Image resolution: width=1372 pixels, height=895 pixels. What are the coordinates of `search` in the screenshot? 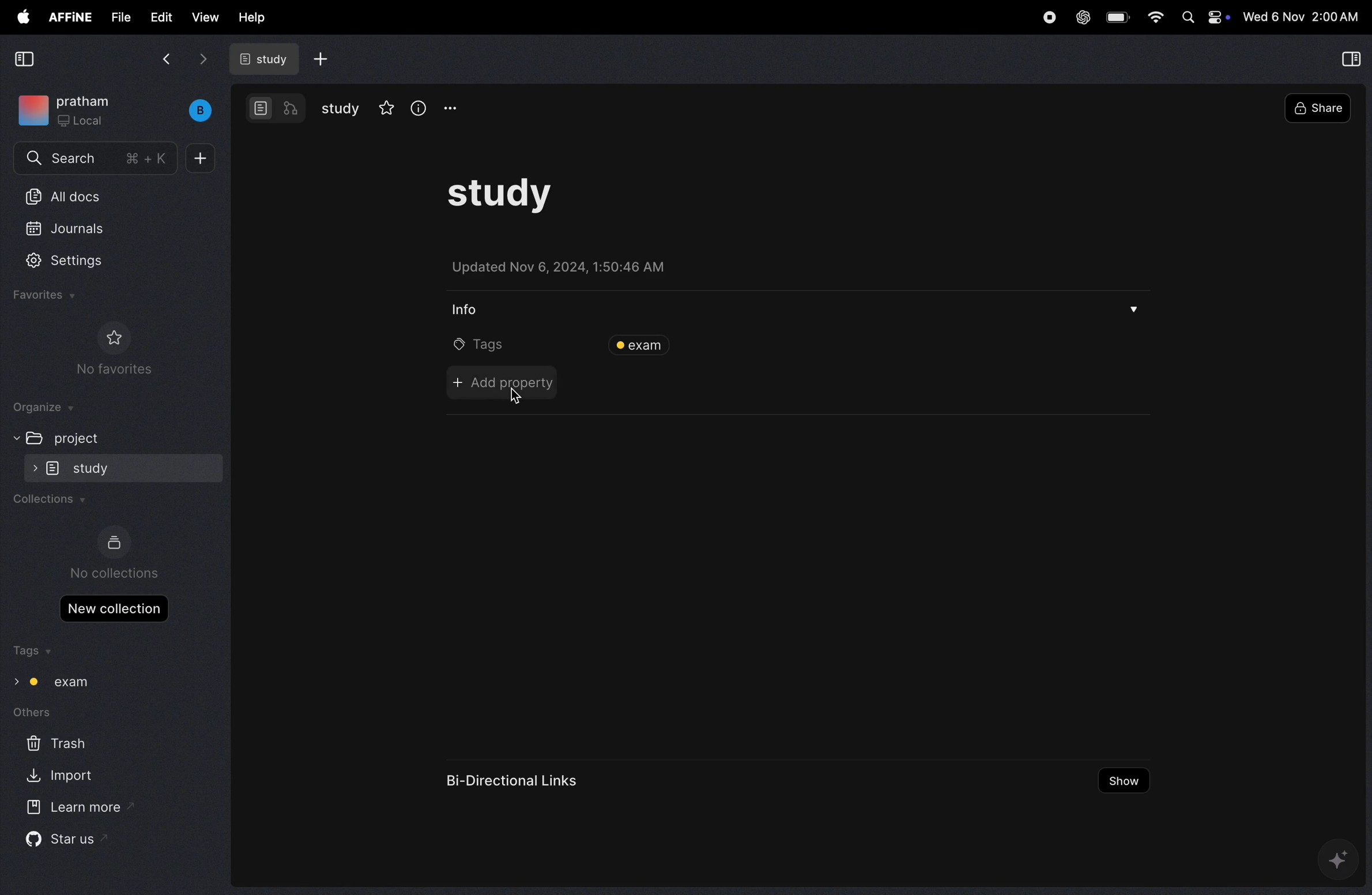 It's located at (87, 159).